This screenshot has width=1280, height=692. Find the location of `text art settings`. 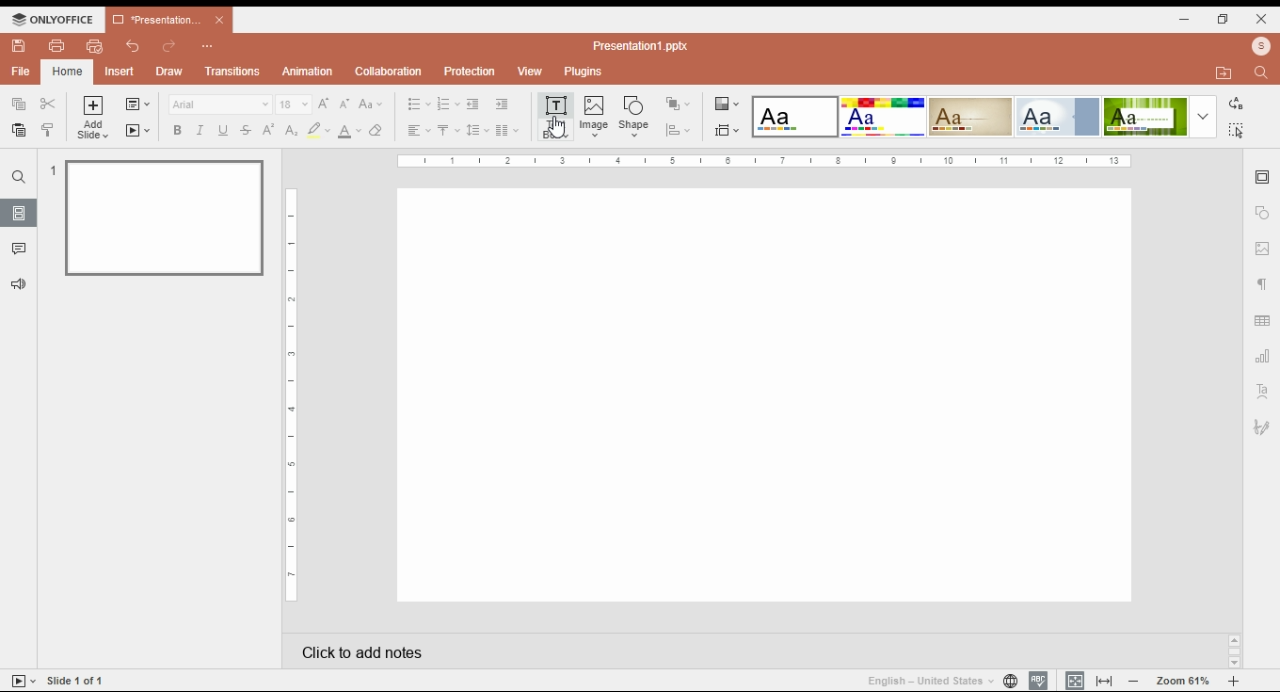

text art settings is located at coordinates (1262, 391).